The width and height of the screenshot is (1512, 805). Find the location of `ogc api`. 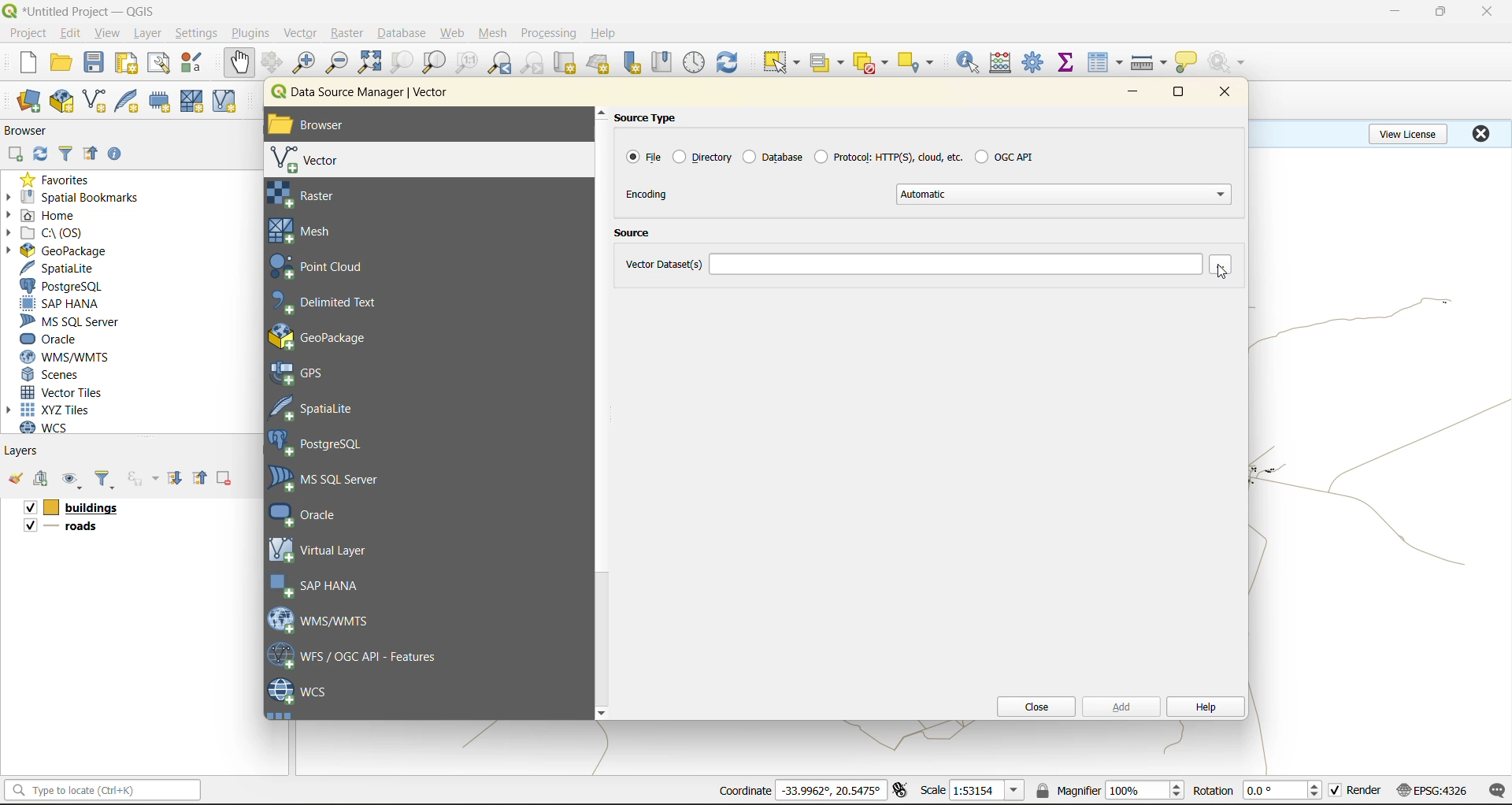

ogc api is located at coordinates (1004, 156).